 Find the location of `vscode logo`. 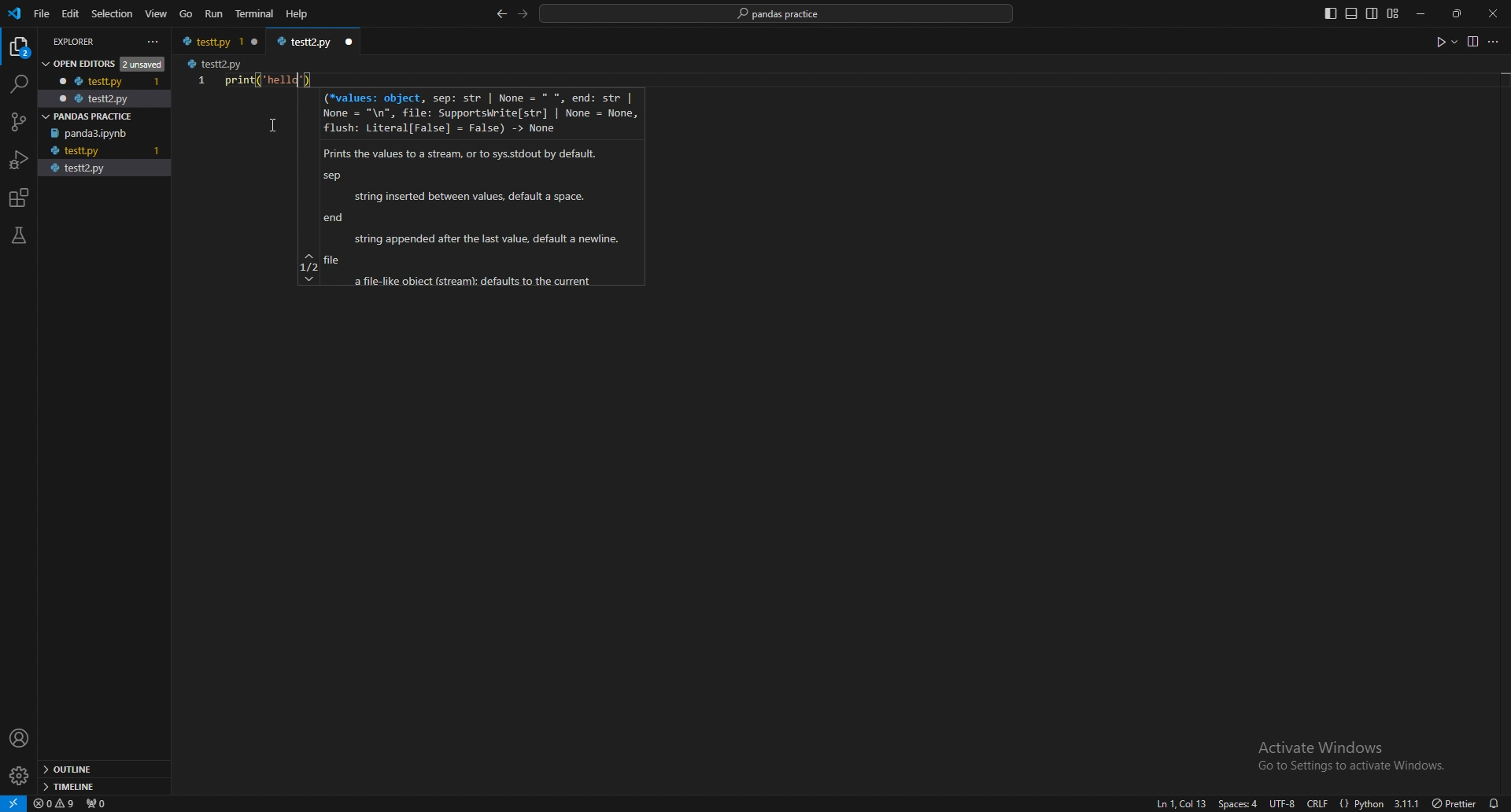

vscode logo is located at coordinates (14, 14).